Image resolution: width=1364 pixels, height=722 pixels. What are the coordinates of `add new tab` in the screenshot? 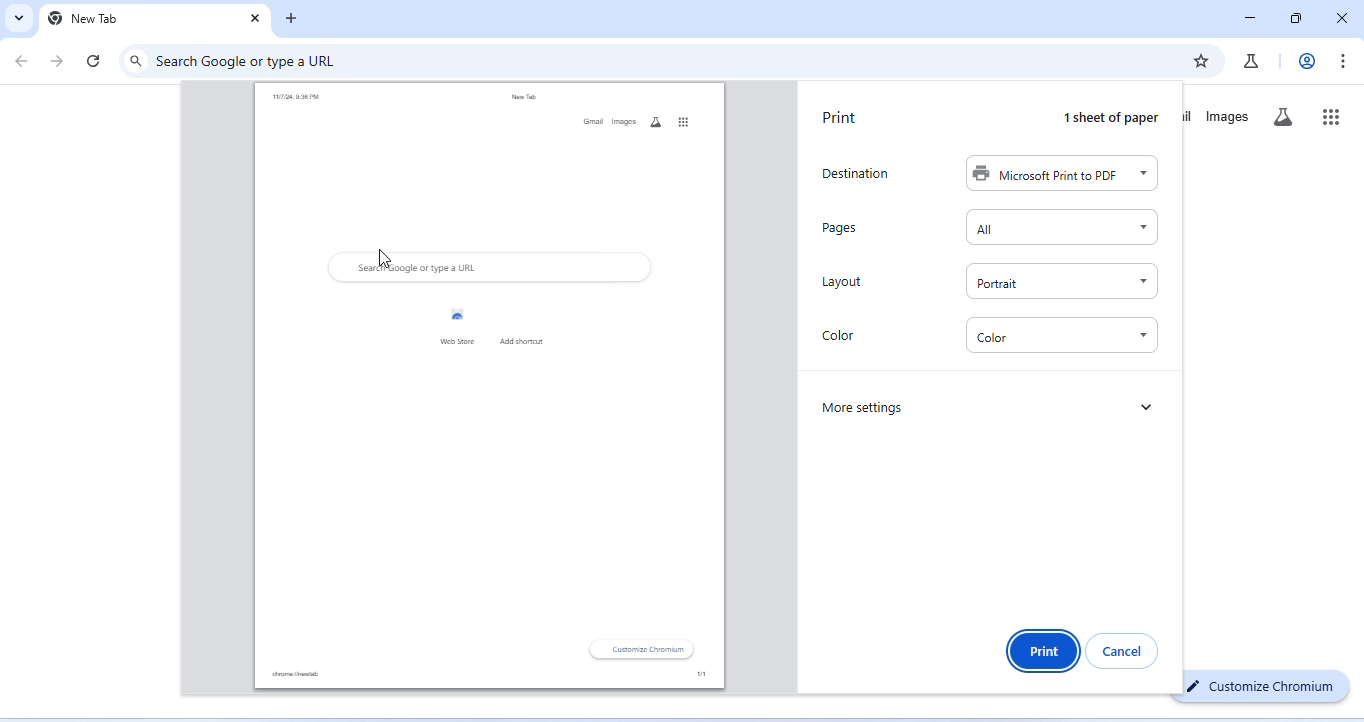 It's located at (292, 20).